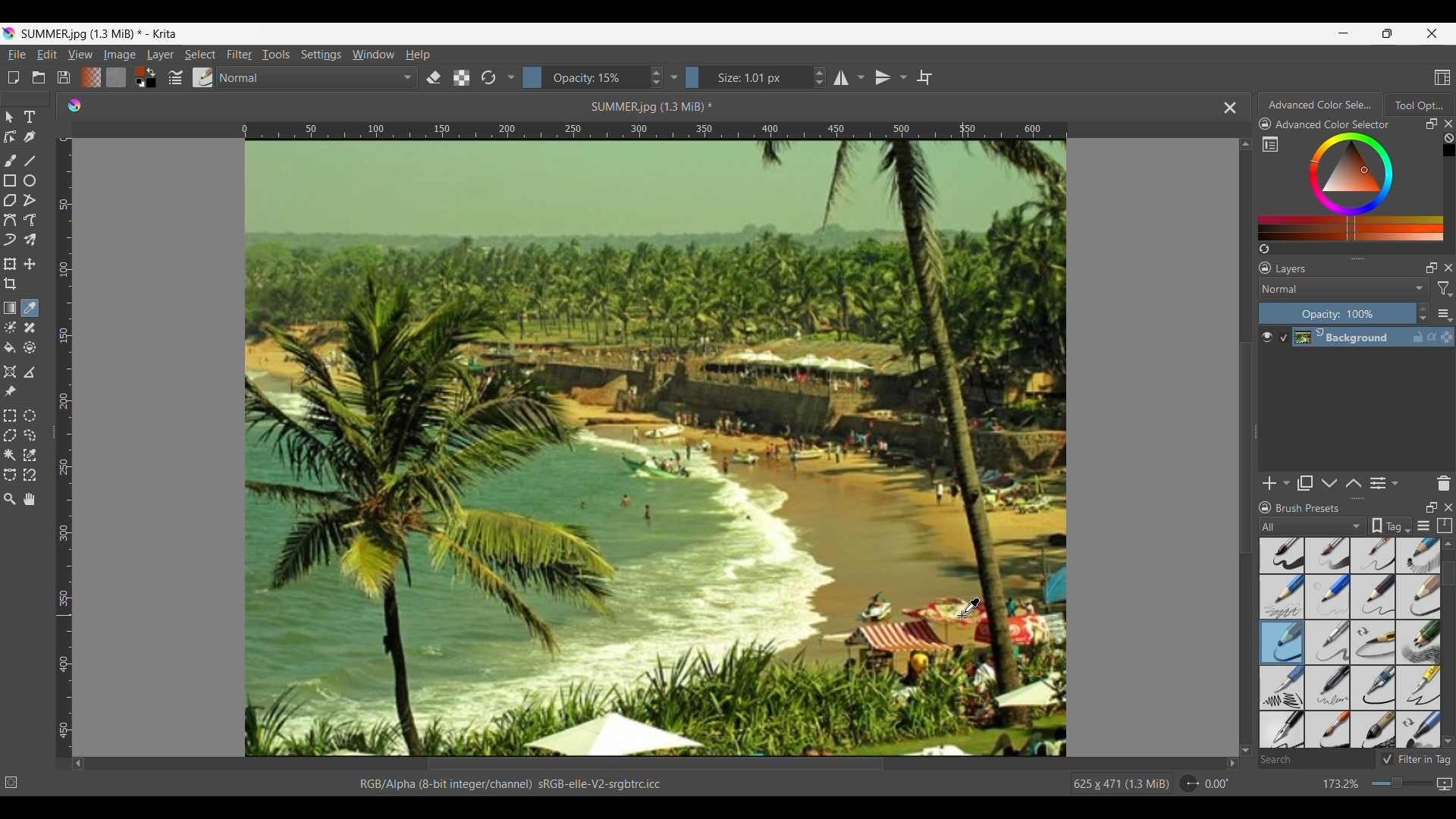 The image size is (1456, 819). Describe the element at coordinates (116, 77) in the screenshot. I see `Fill patterns` at that location.